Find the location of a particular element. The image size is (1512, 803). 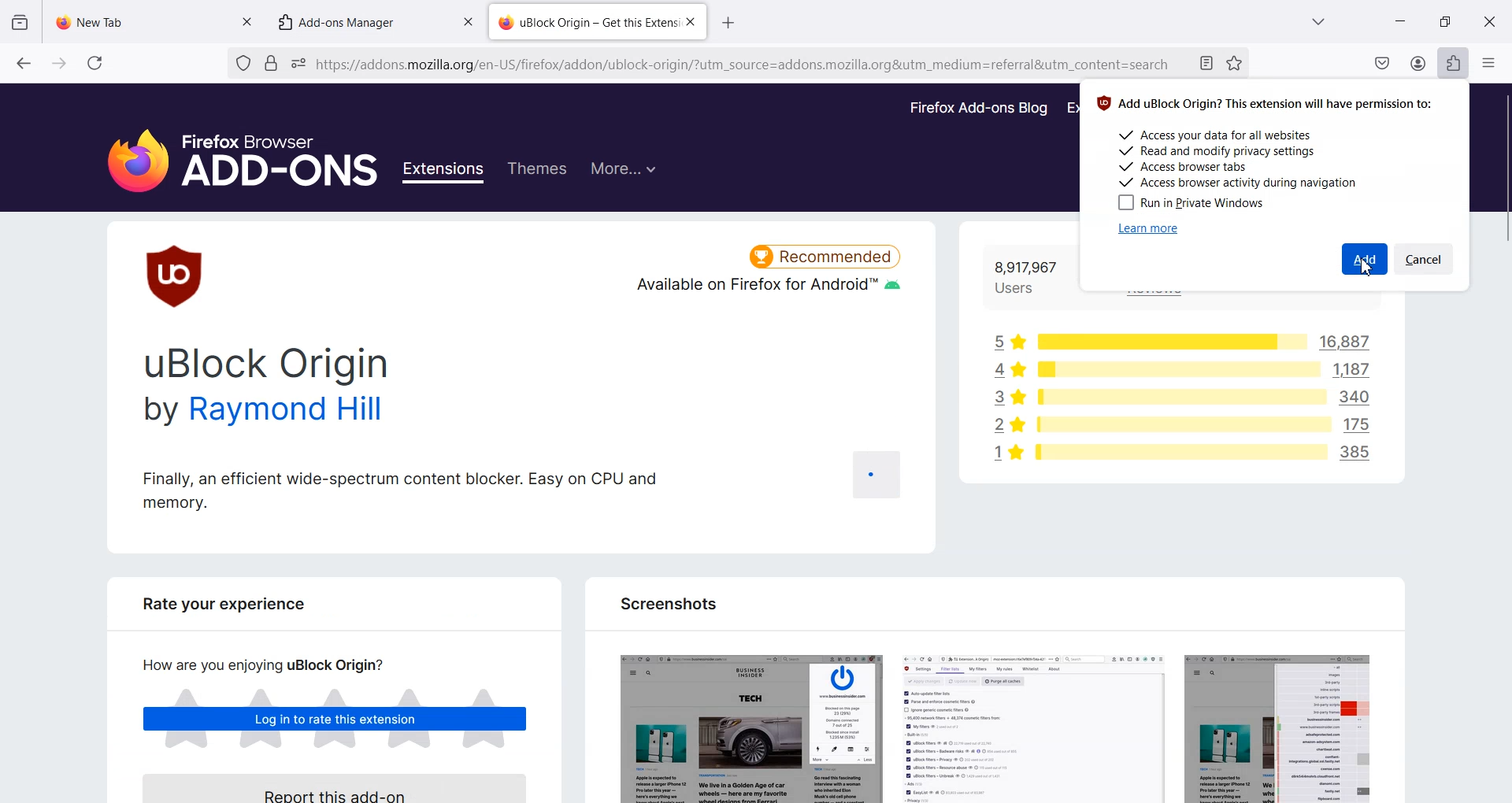

rating bar is located at coordinates (1177, 398).